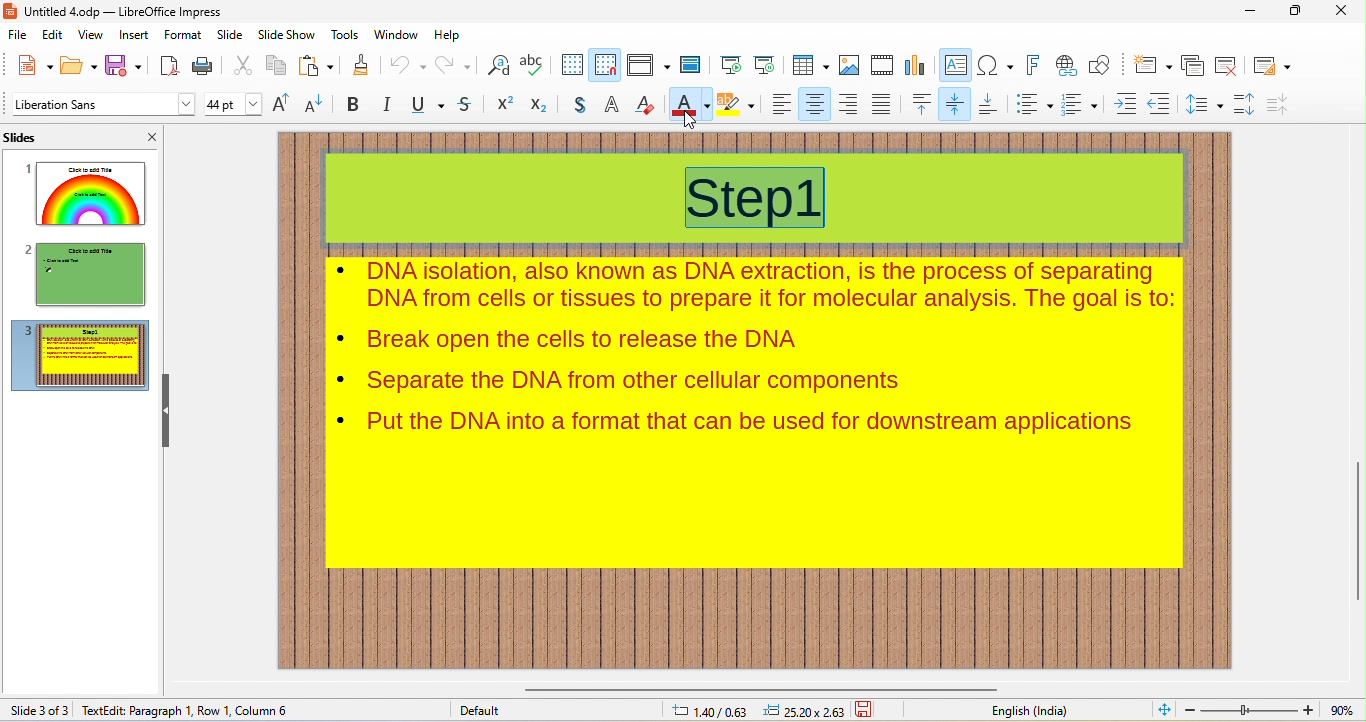 This screenshot has height=722, width=1366. Describe the element at coordinates (244, 65) in the screenshot. I see `cut` at that location.